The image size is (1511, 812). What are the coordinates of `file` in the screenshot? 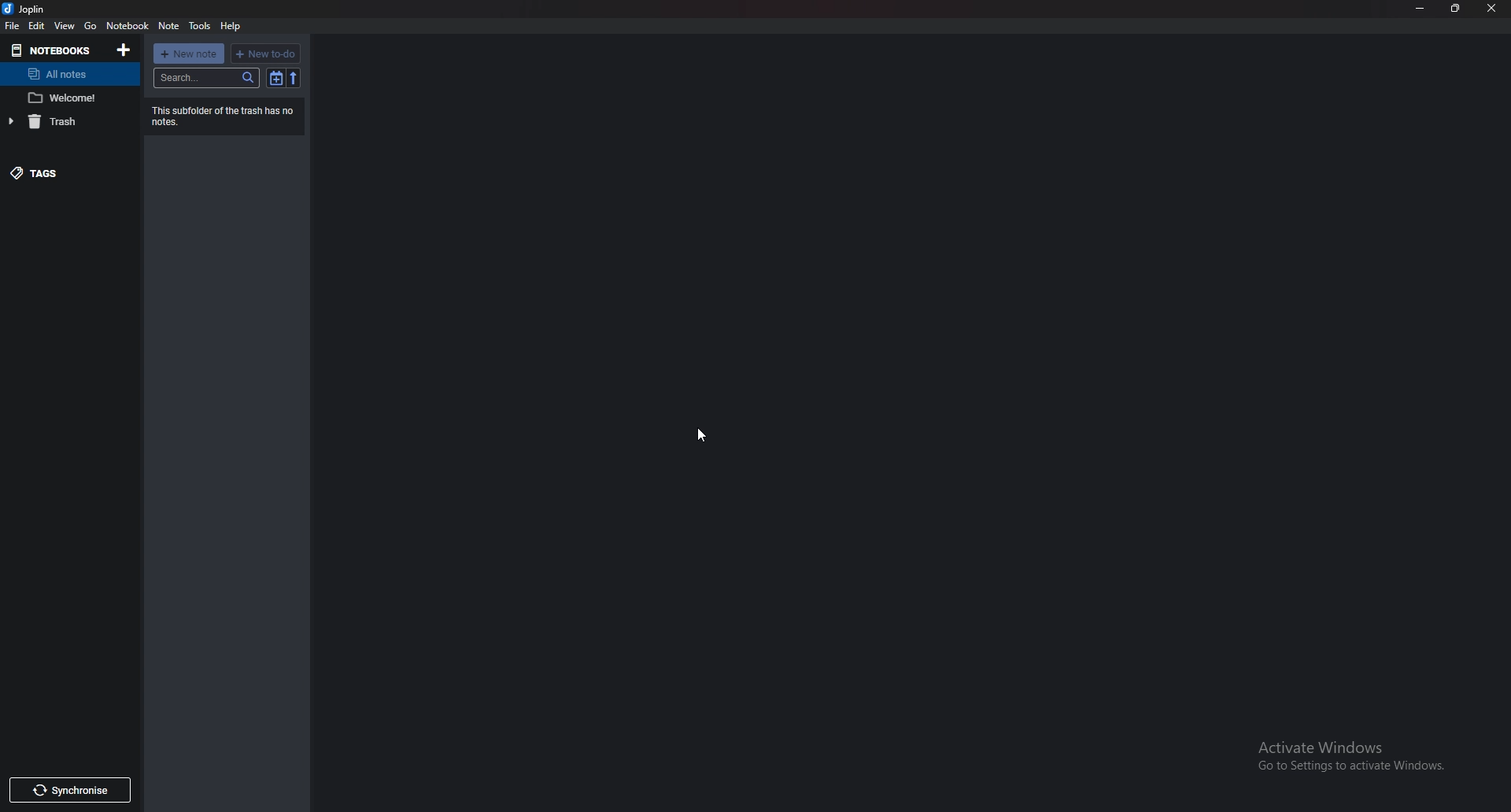 It's located at (12, 25).